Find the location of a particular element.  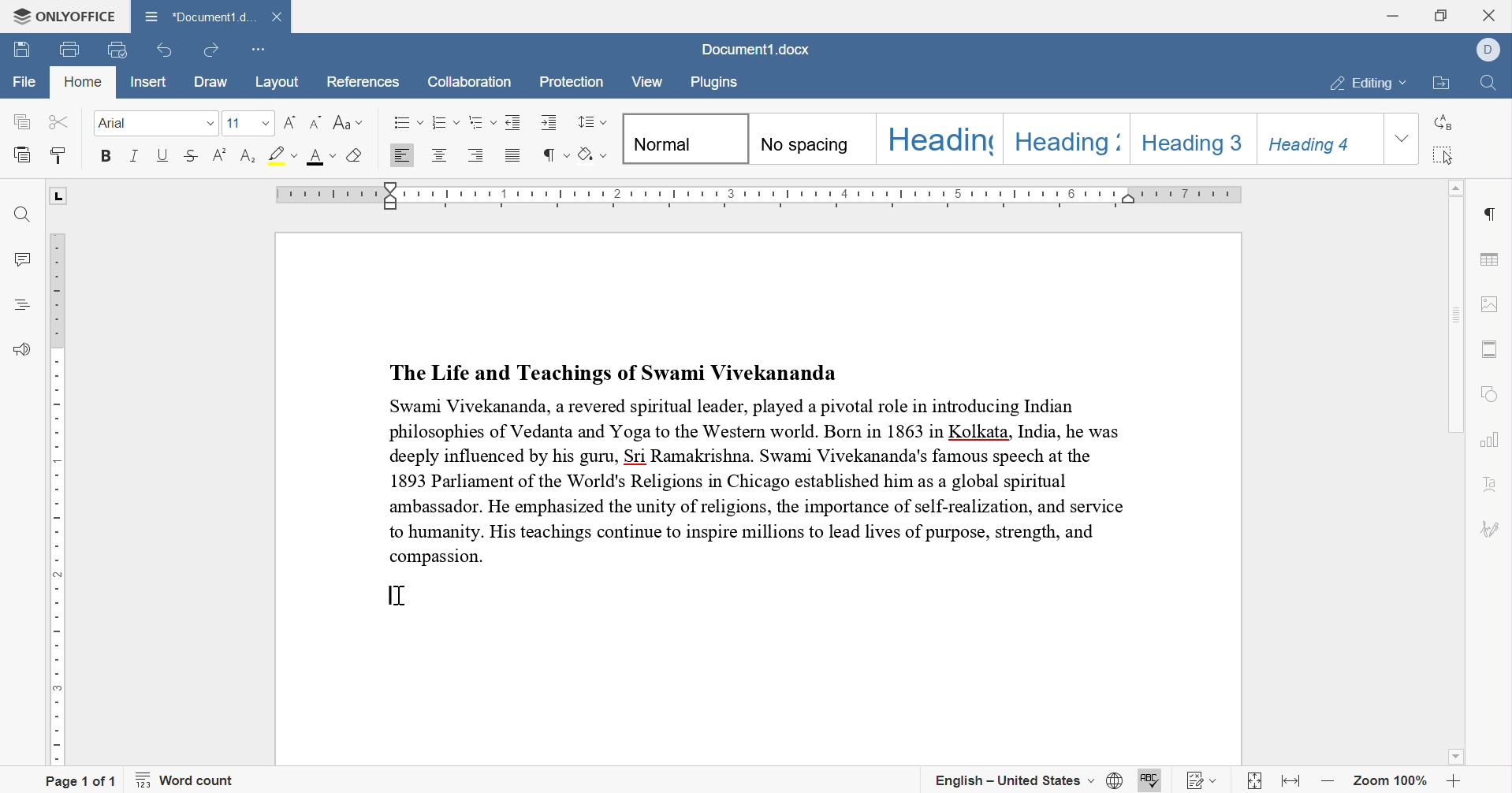

image settings is located at coordinates (1487, 303).